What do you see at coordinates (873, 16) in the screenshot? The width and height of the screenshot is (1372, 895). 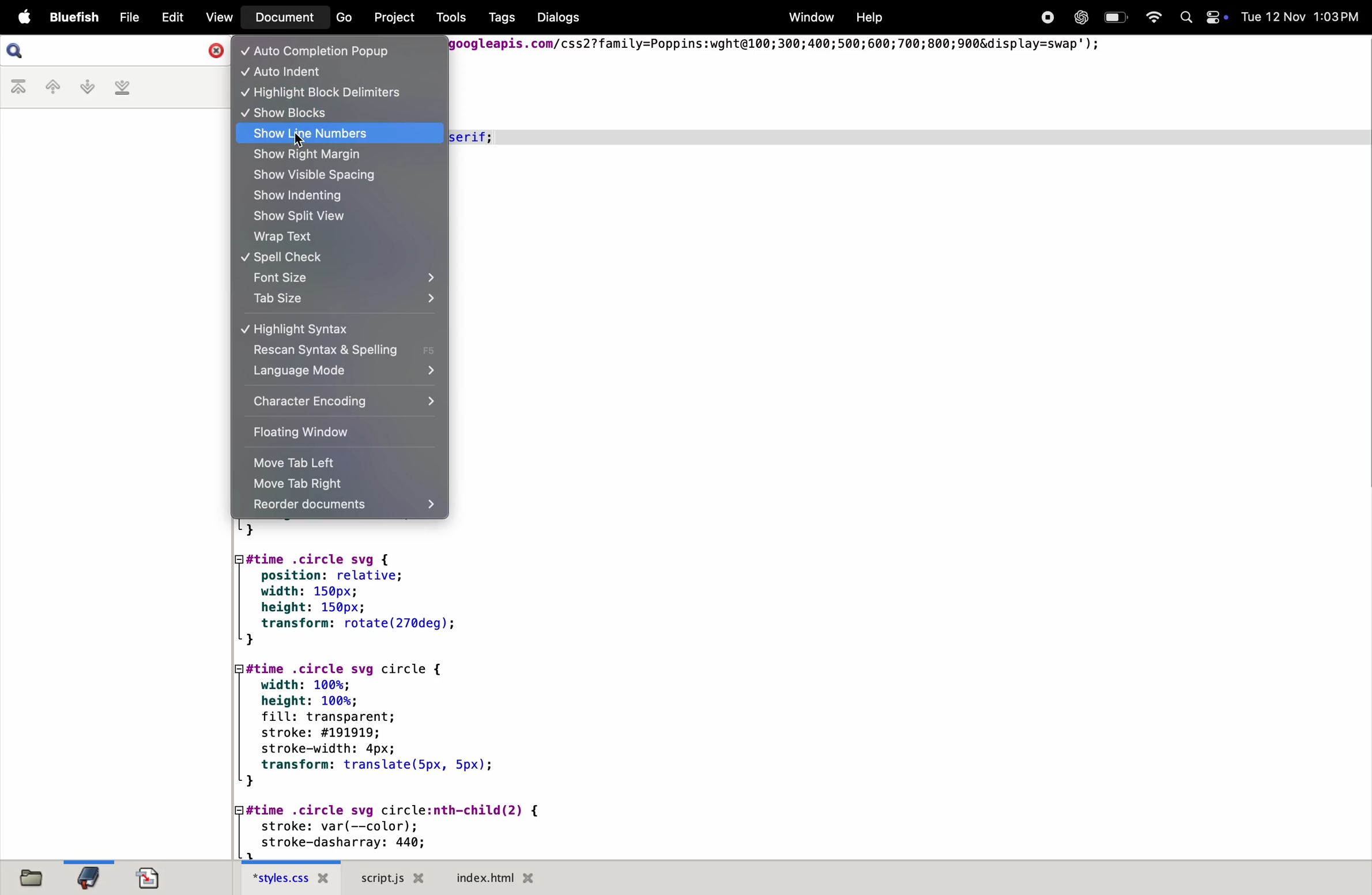 I see `Help` at bounding box center [873, 16].